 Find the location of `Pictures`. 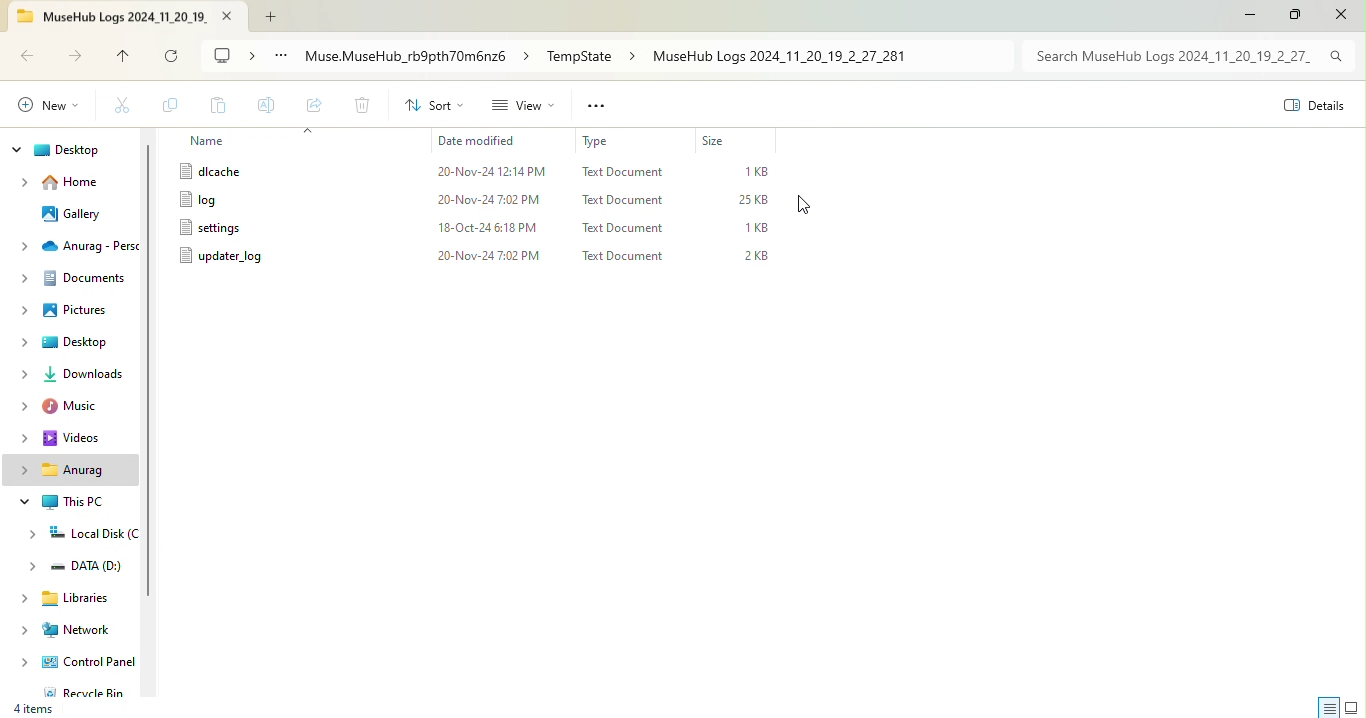

Pictures is located at coordinates (58, 308).